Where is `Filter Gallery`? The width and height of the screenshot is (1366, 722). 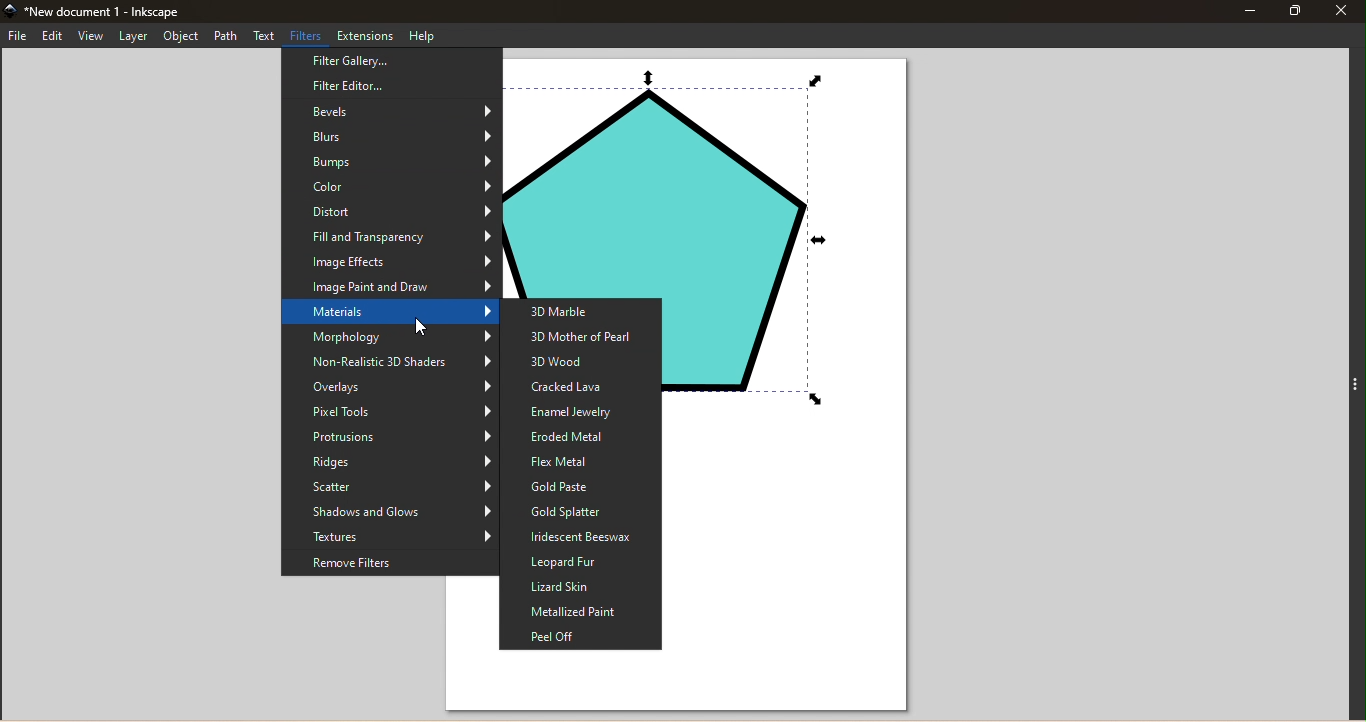 Filter Gallery is located at coordinates (391, 60).